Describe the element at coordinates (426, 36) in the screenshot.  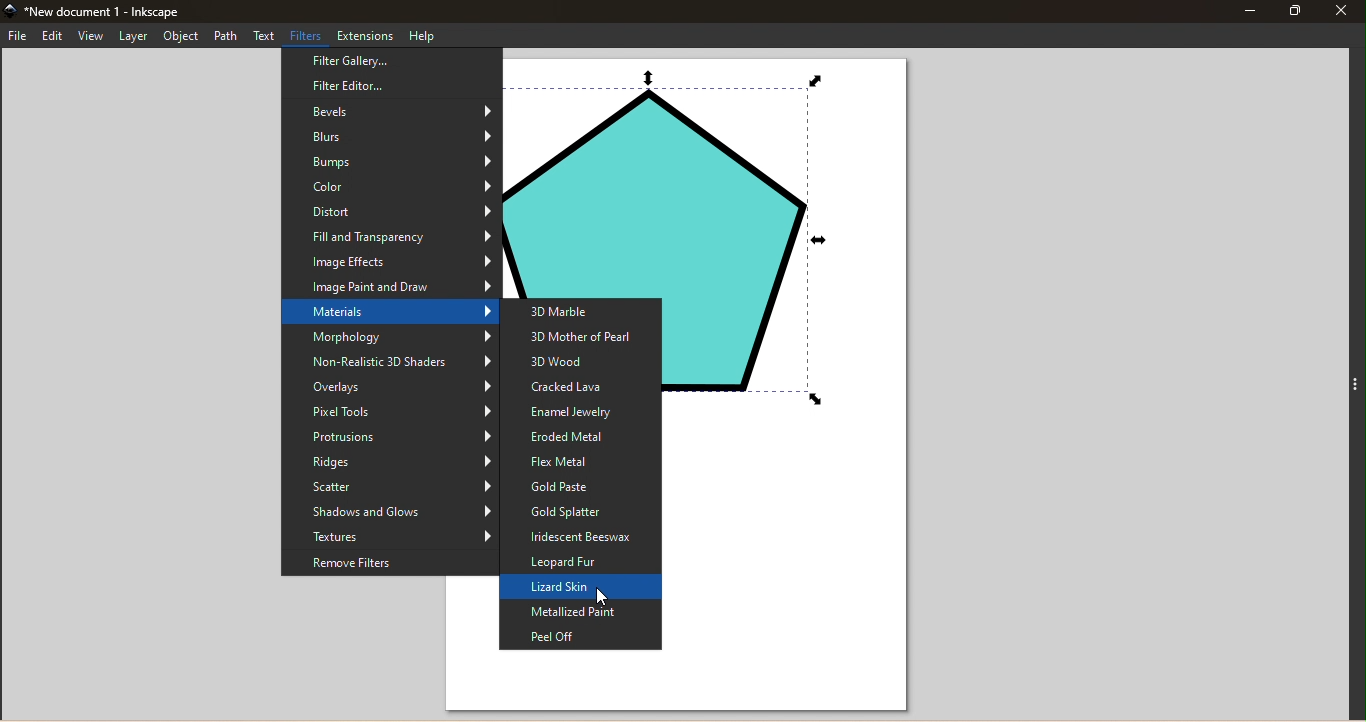
I see `Help` at that location.